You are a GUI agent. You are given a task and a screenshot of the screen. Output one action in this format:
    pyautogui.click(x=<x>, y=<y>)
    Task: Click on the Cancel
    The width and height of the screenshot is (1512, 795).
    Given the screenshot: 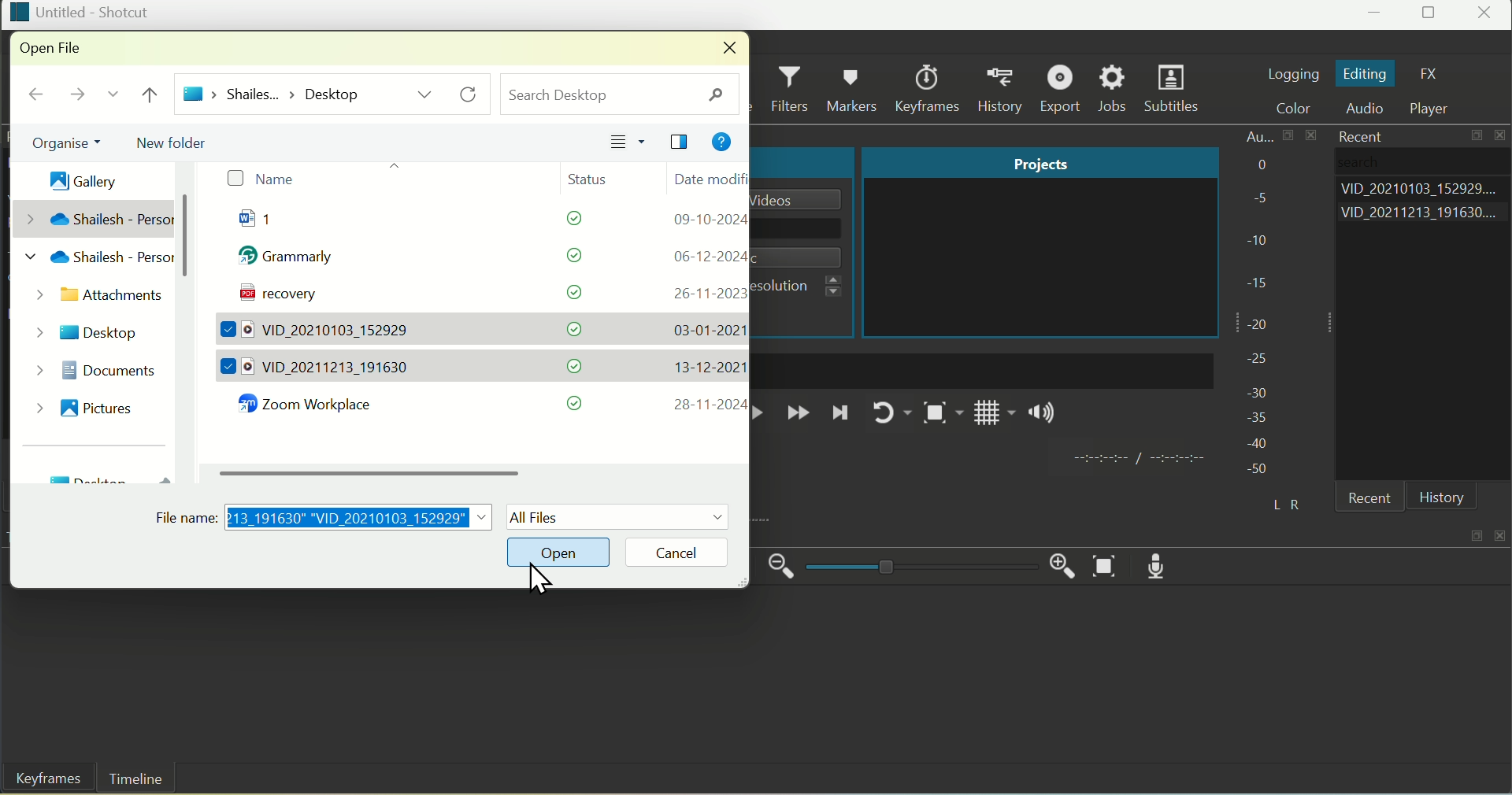 What is the action you would take?
    pyautogui.click(x=689, y=552)
    